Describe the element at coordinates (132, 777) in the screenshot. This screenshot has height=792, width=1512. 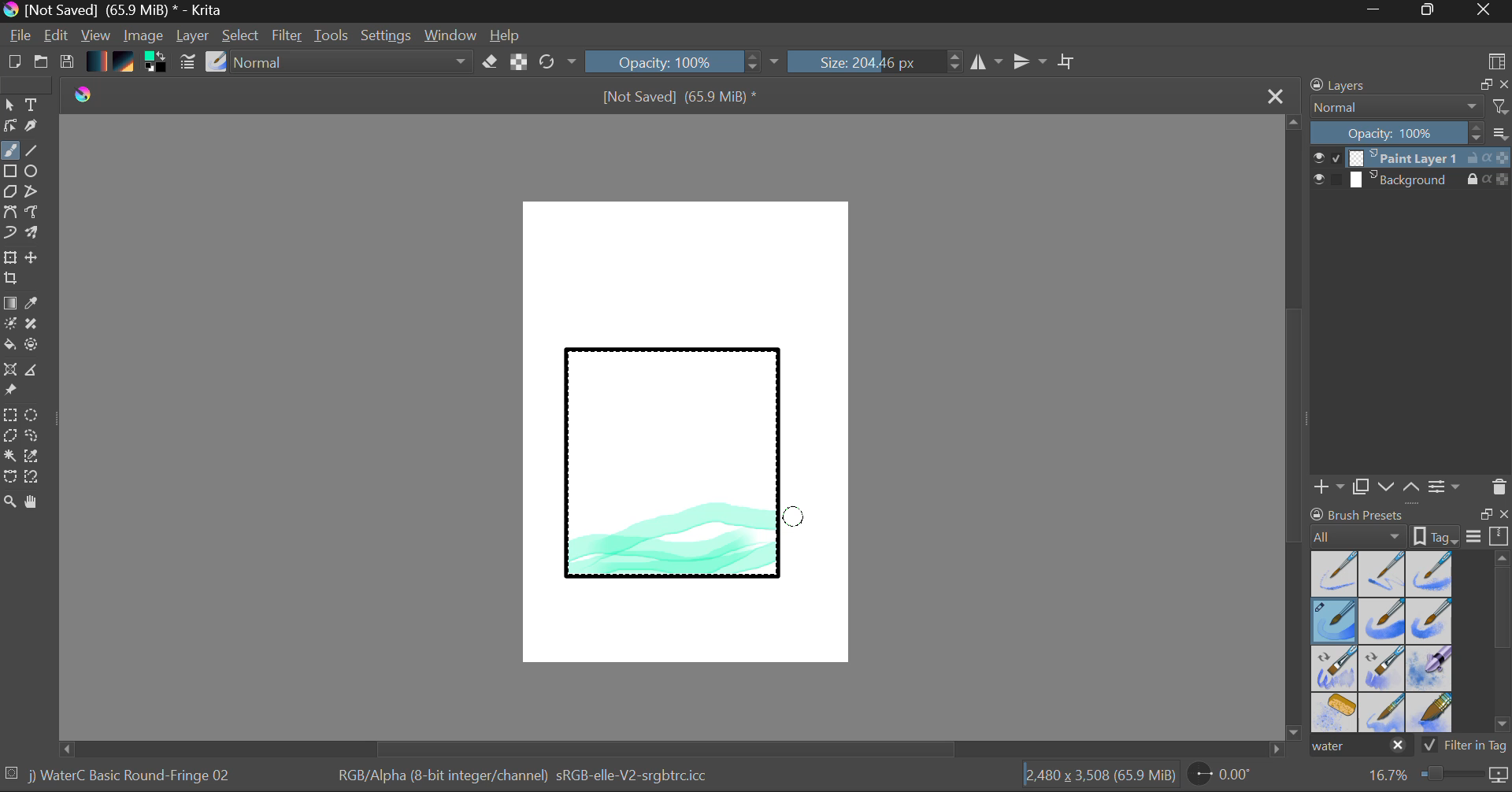
I see `Brush Selected` at that location.